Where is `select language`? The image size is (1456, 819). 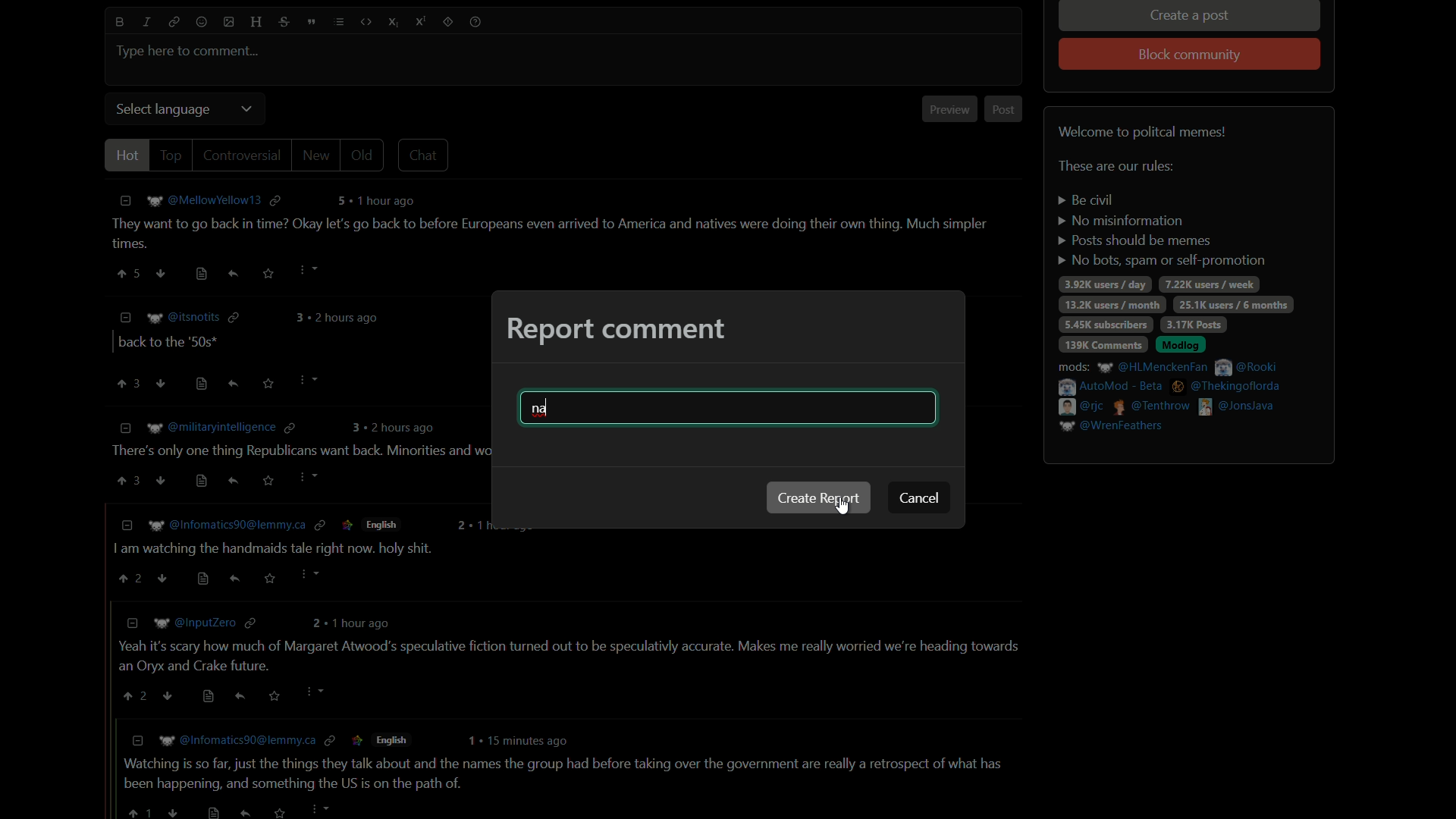
select language is located at coordinates (162, 110).